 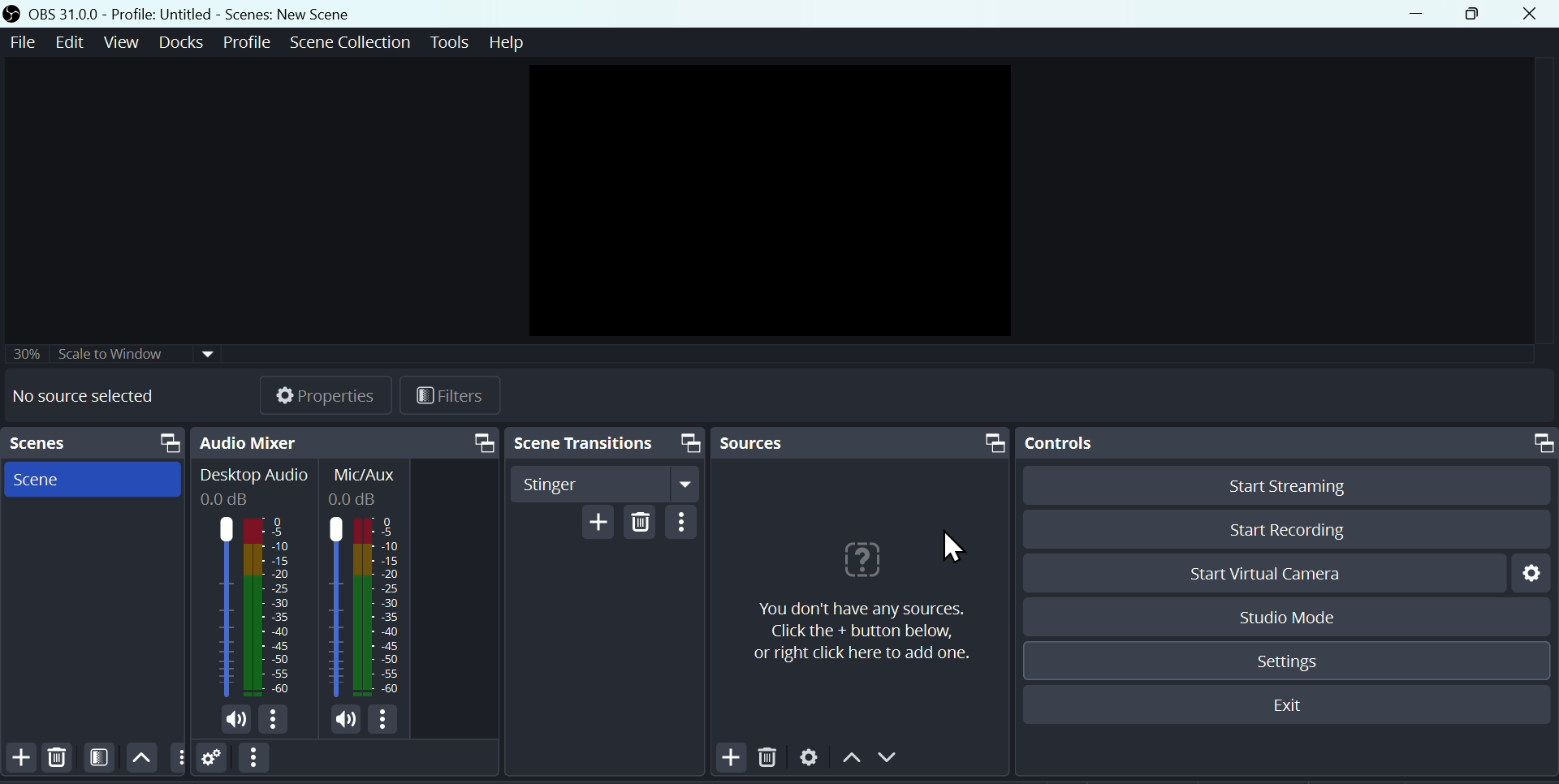 I want to click on Profile, so click(x=248, y=45).